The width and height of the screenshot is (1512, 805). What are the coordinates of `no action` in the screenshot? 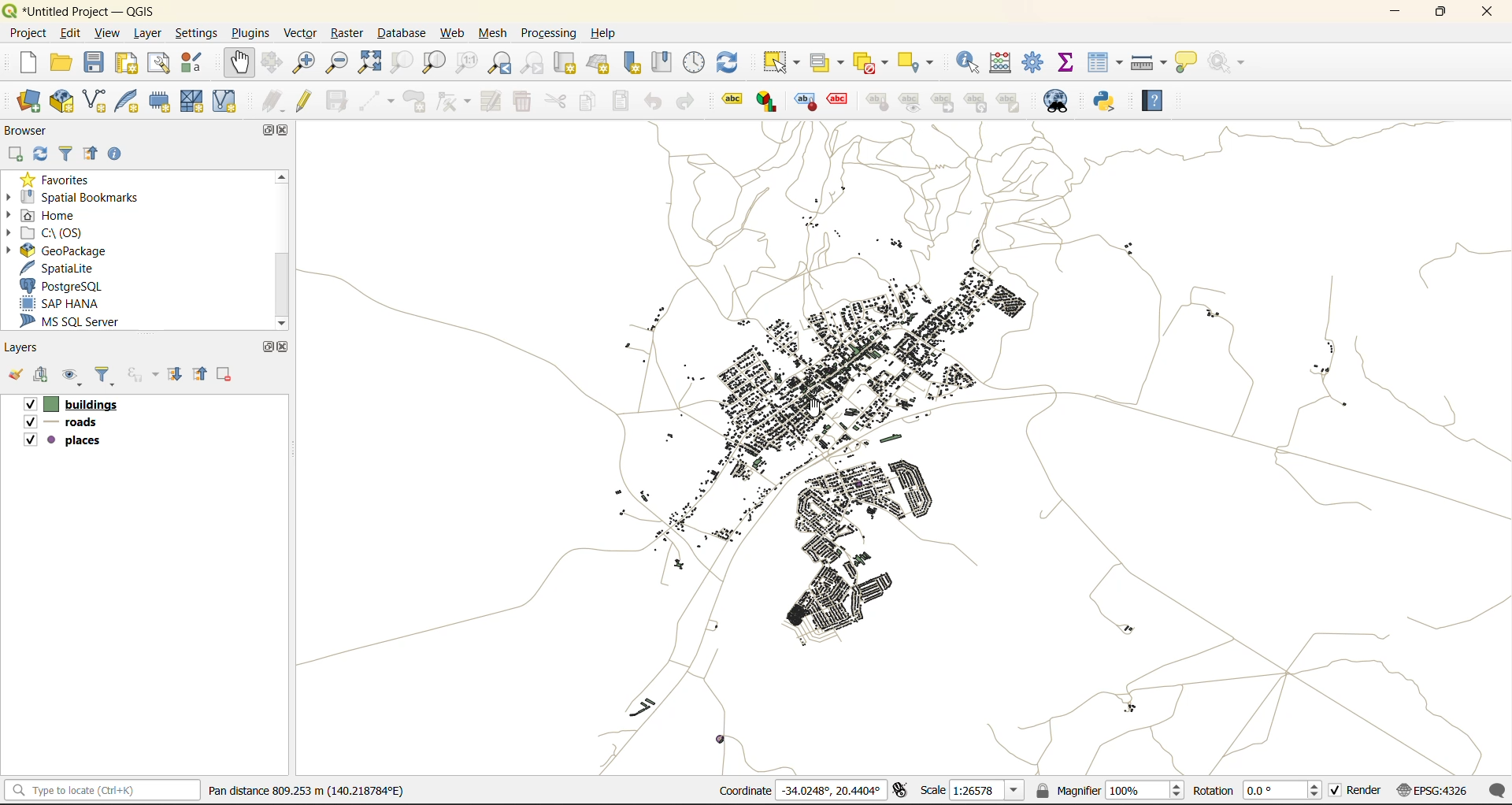 It's located at (1225, 63).